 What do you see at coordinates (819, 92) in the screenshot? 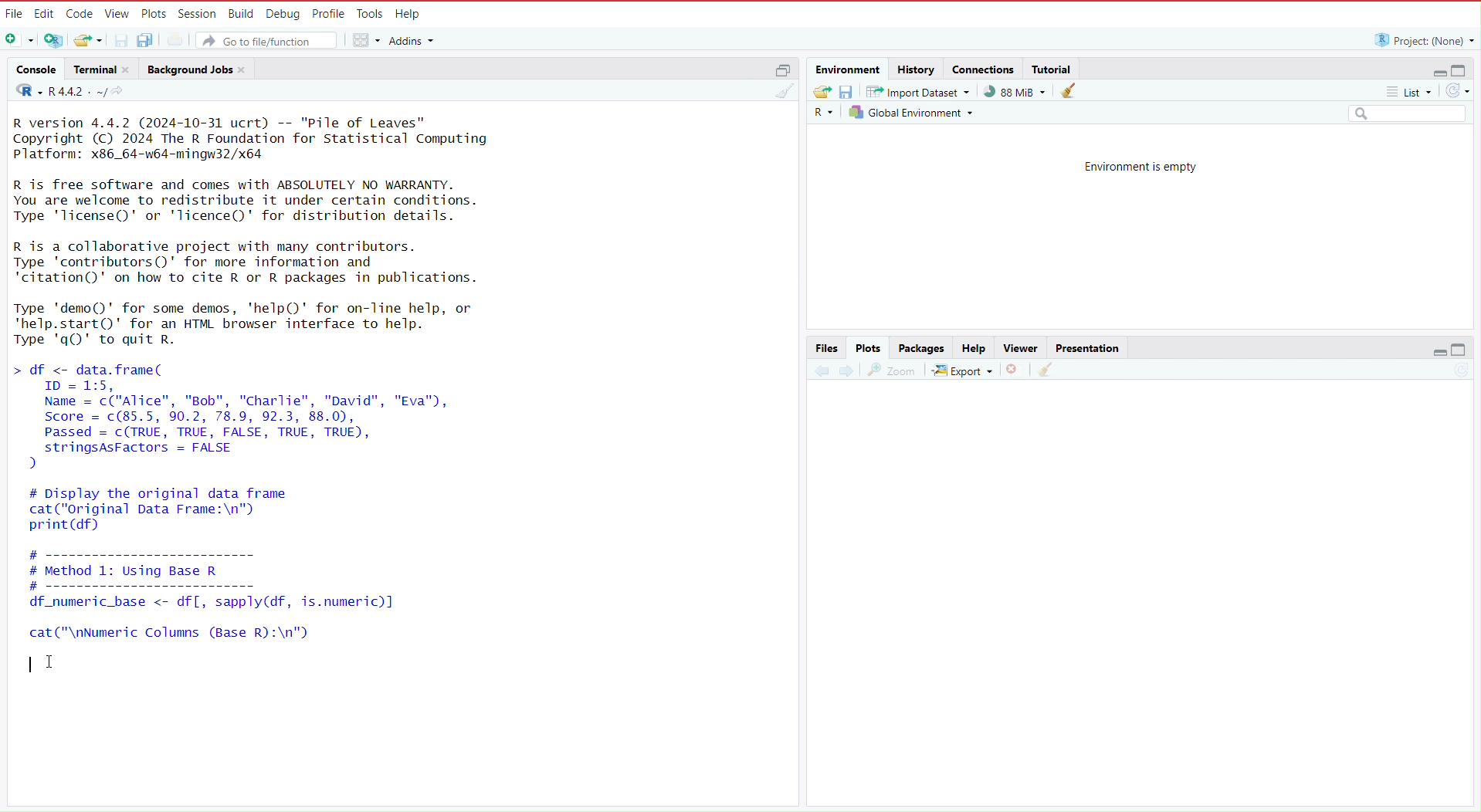
I see `Load workspace` at bounding box center [819, 92].